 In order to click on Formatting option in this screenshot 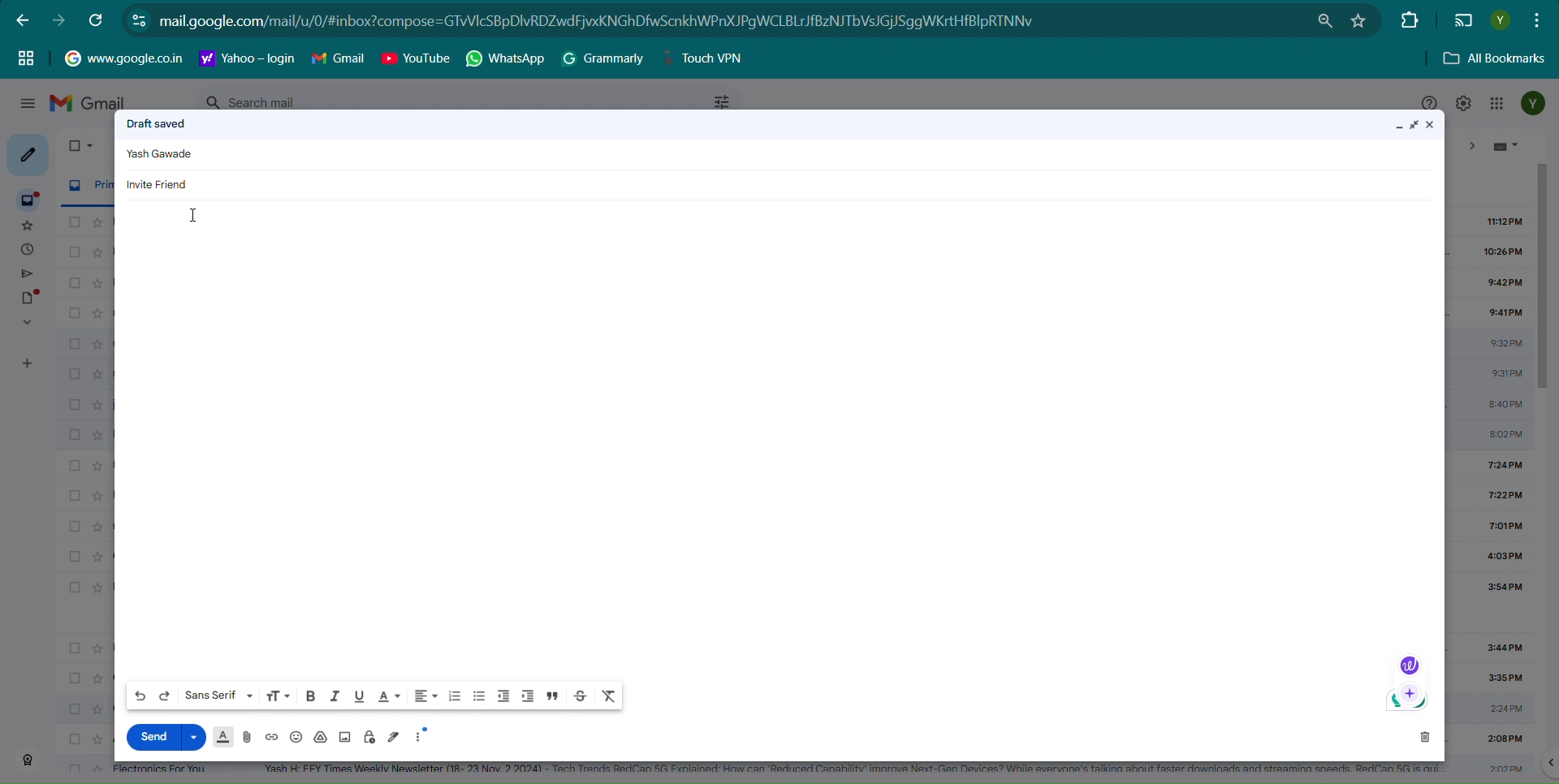, I will do `click(223, 737)`.